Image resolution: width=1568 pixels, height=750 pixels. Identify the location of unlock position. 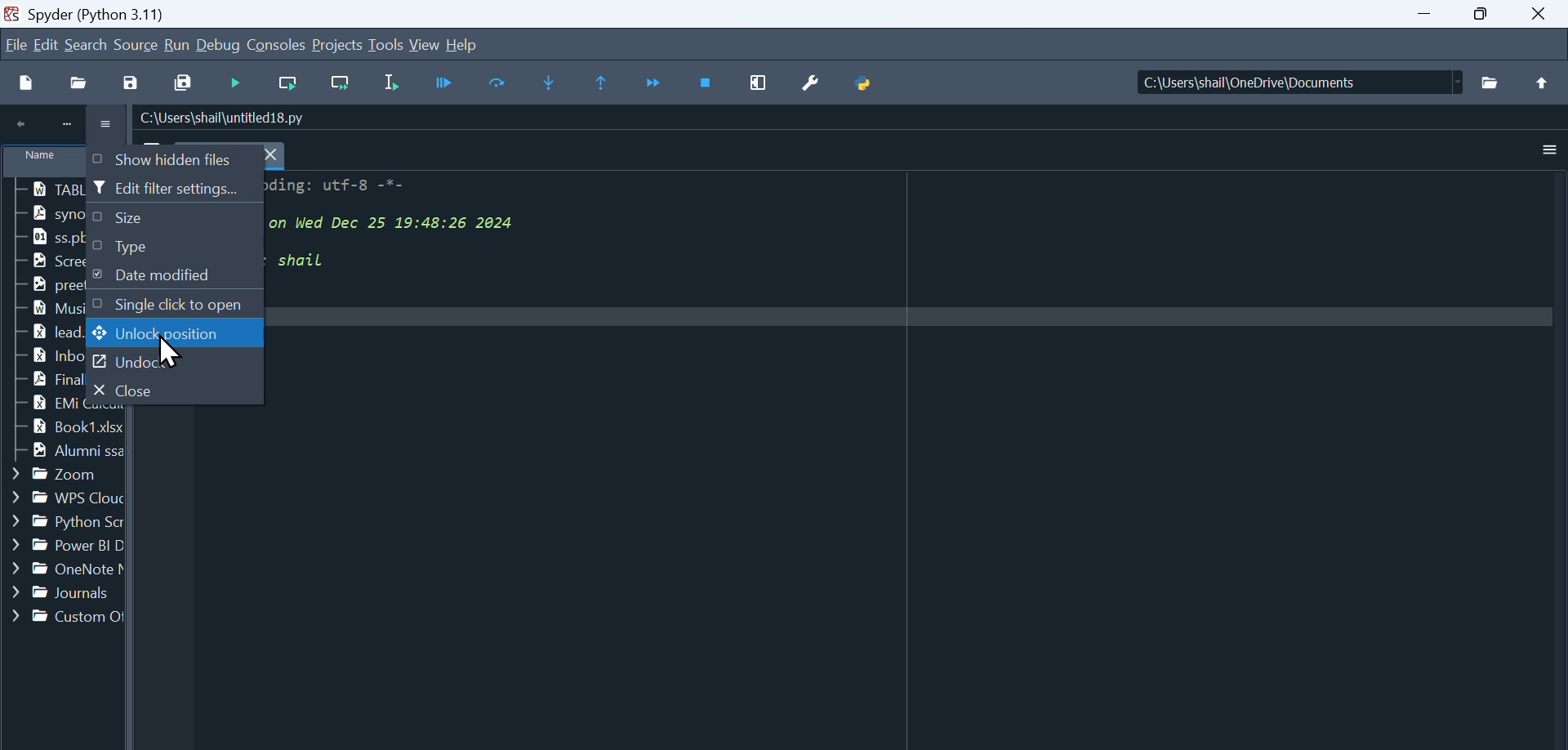
(175, 334).